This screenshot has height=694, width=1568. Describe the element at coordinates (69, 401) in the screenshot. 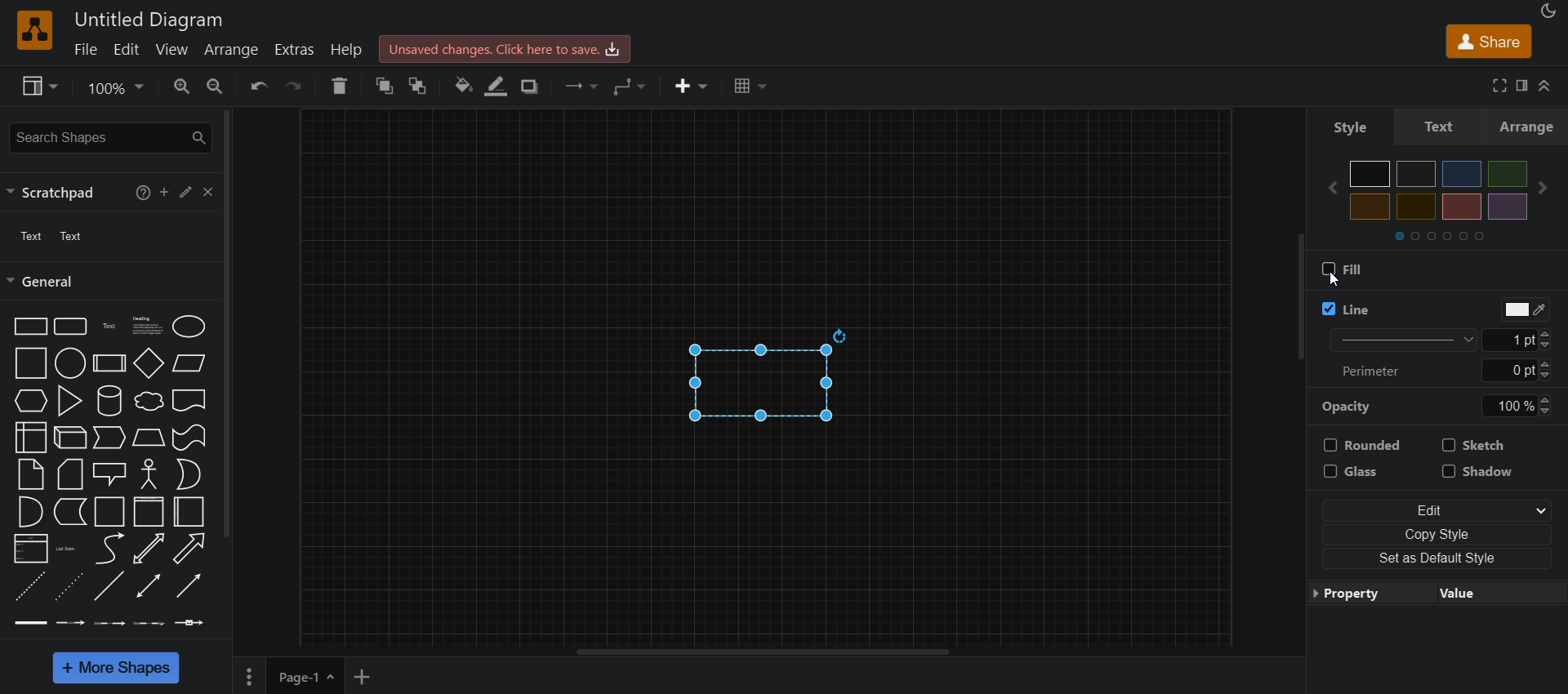

I see `triangle` at that location.